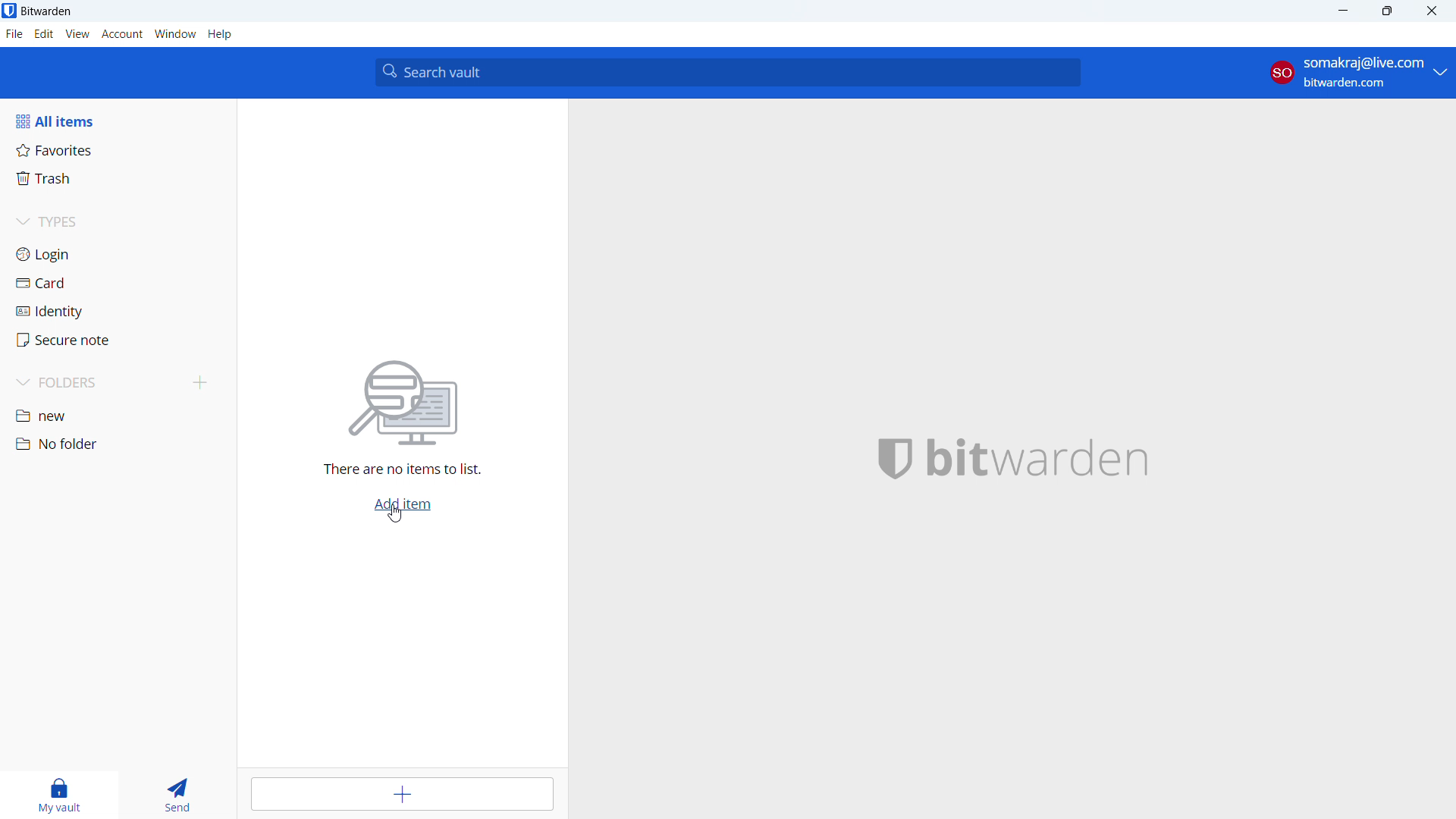 This screenshot has width=1456, height=819. What do you see at coordinates (1357, 73) in the screenshot?
I see `account` at bounding box center [1357, 73].